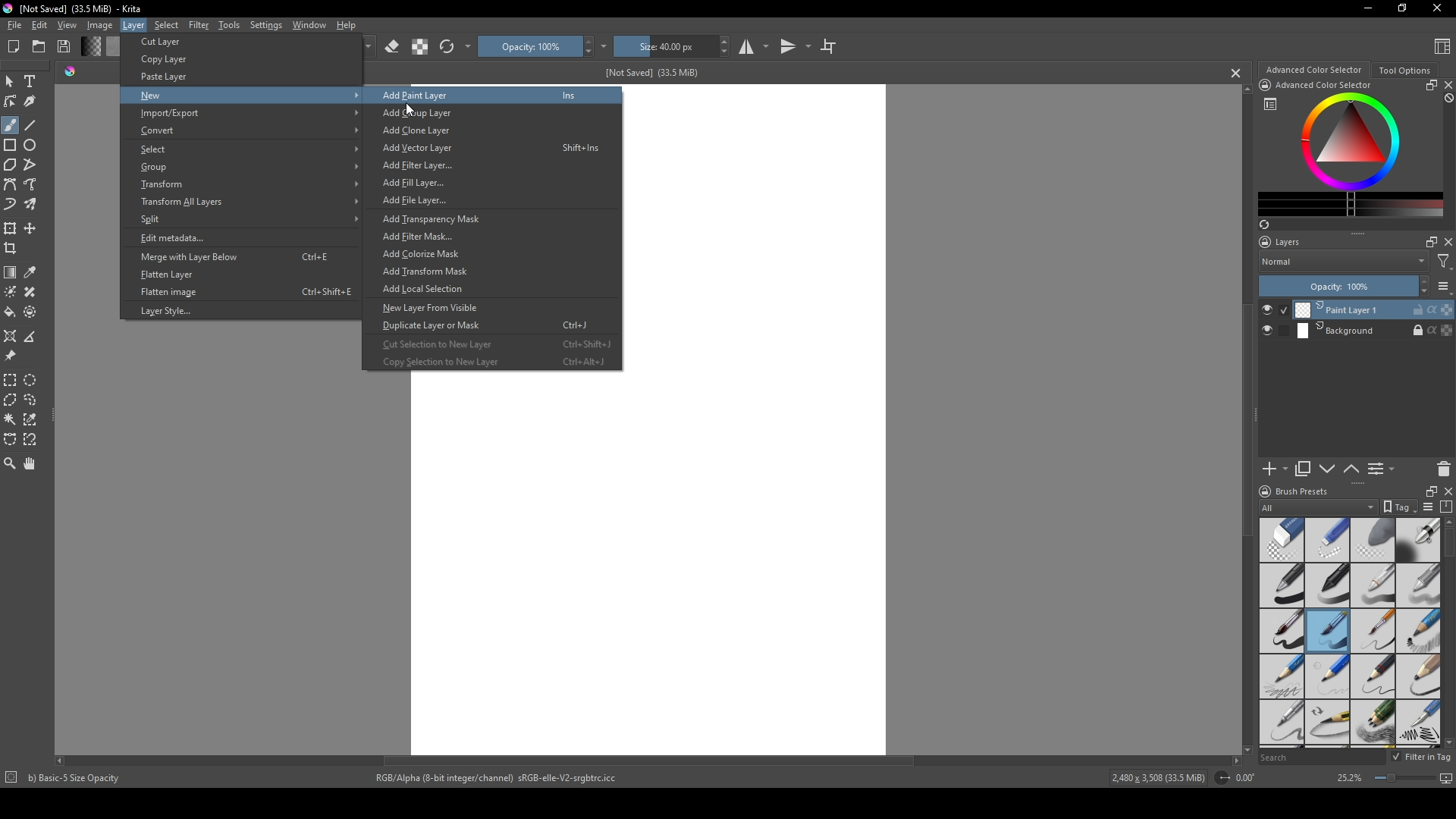  I want to click on sharp pencil, so click(1281, 723).